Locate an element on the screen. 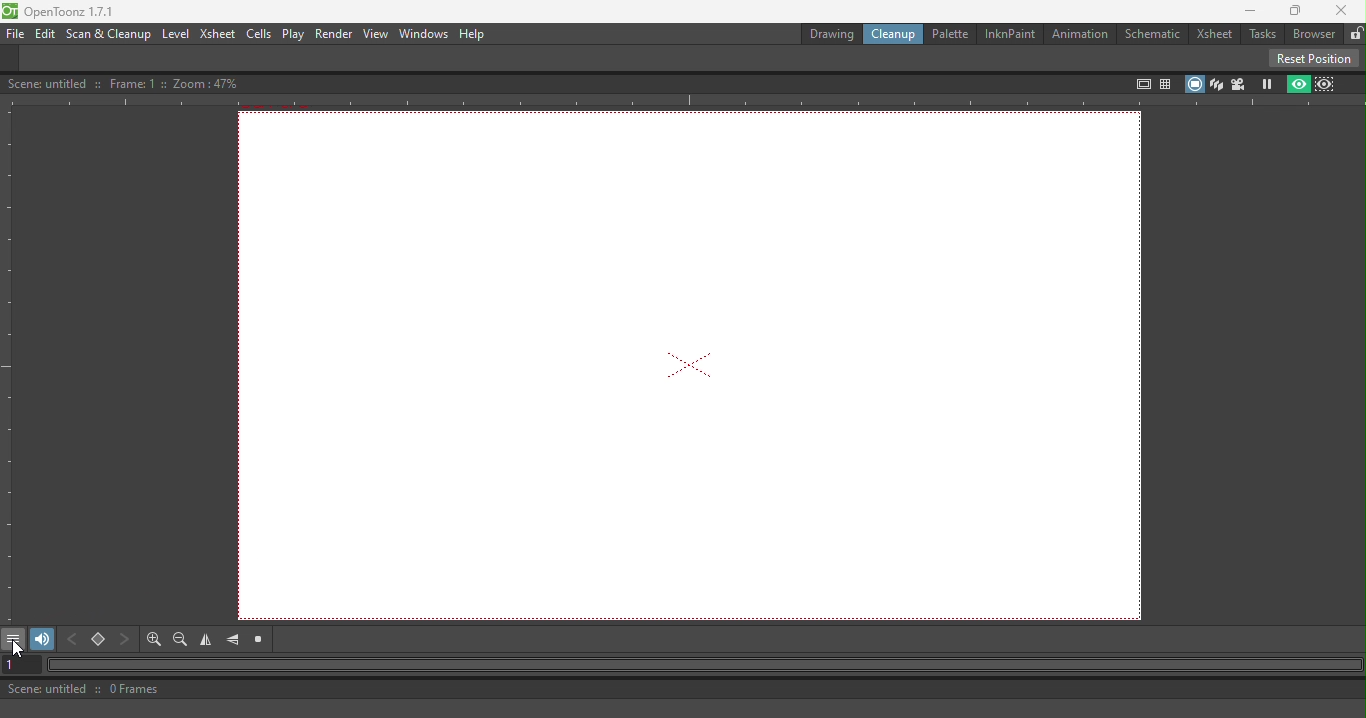 Image resolution: width=1366 pixels, height=718 pixels. Horizontal ruler is located at coordinates (683, 101).